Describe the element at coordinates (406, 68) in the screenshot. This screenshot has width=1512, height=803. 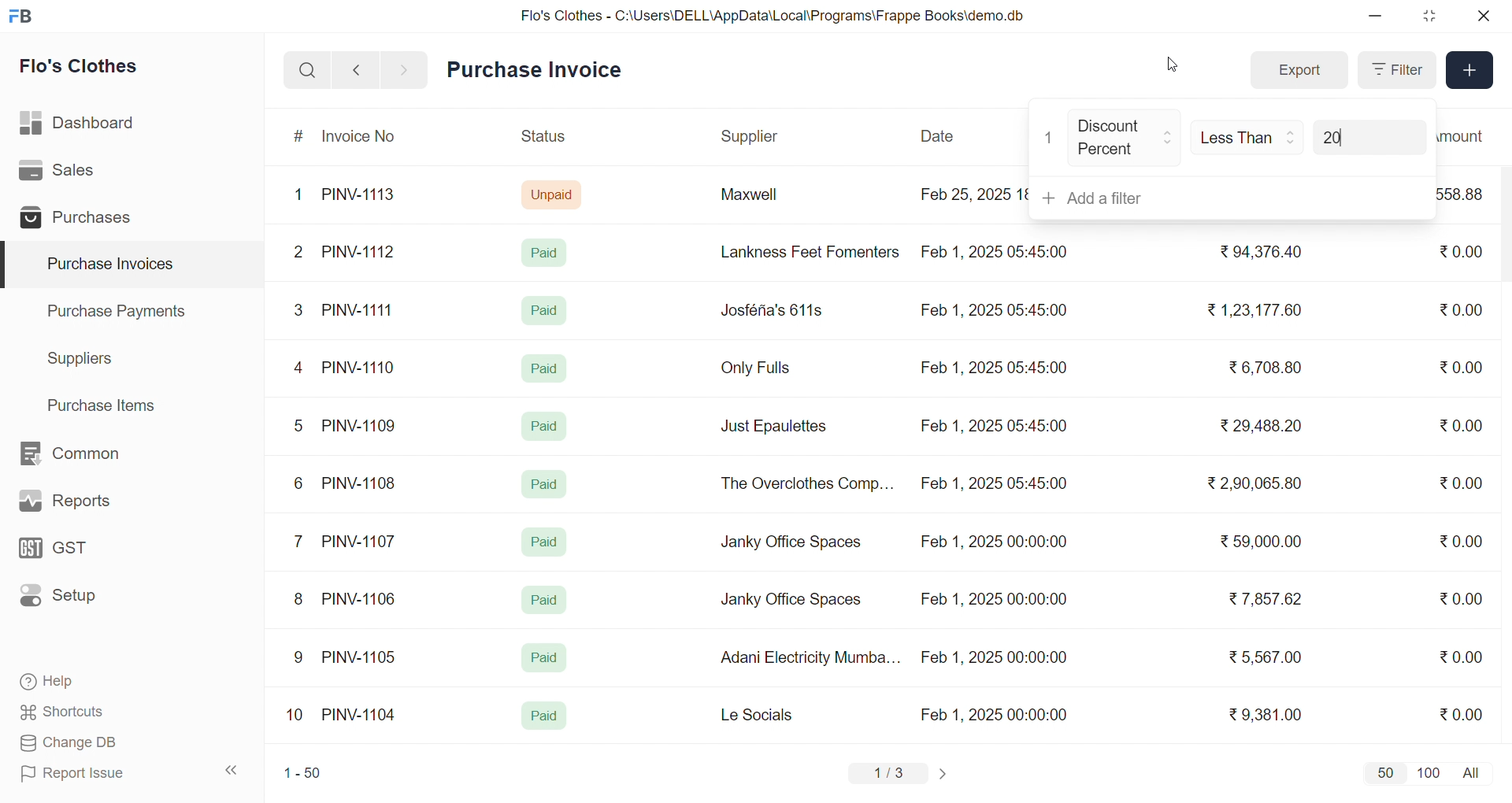
I see `navigate forward` at that location.